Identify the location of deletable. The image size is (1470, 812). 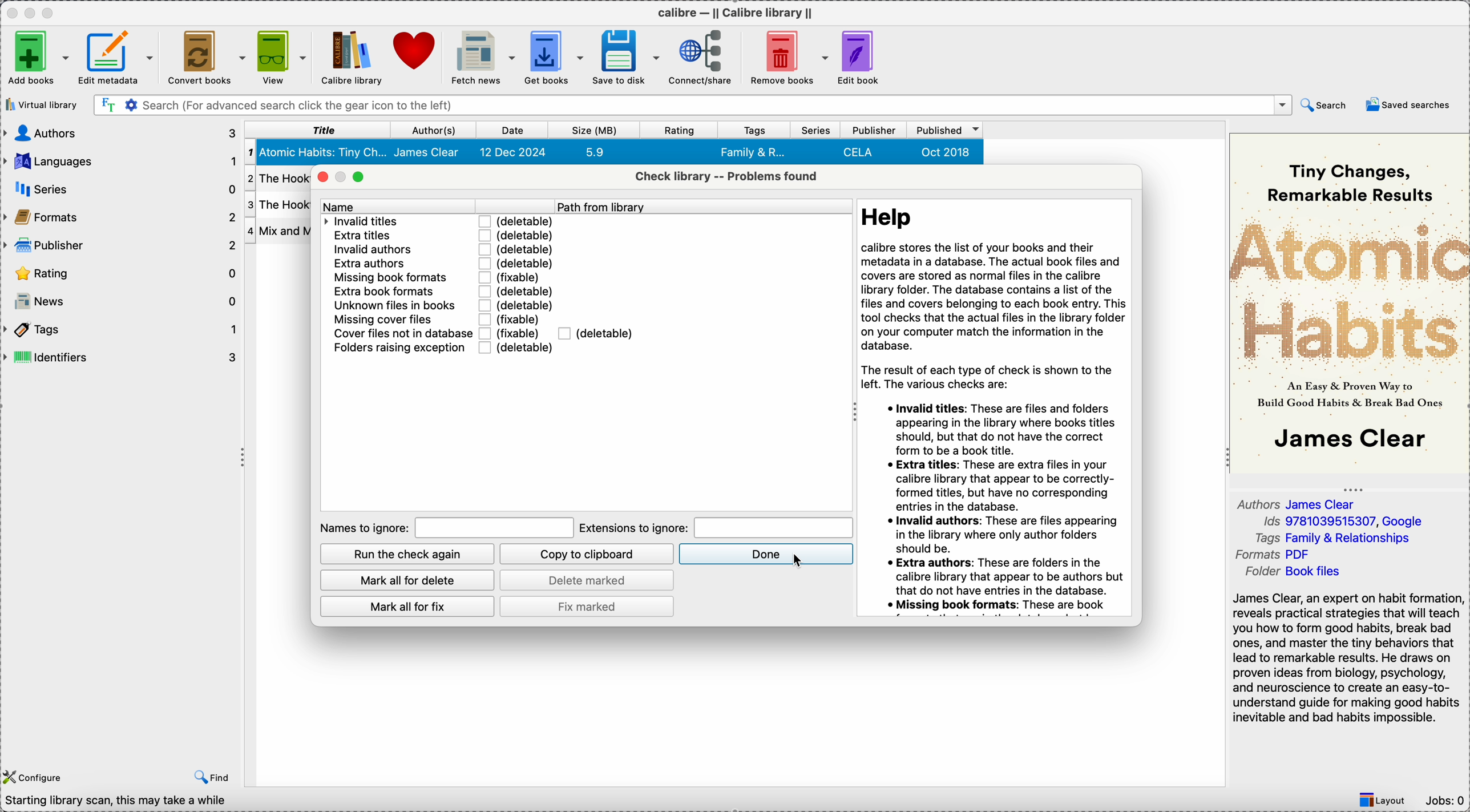
(517, 263).